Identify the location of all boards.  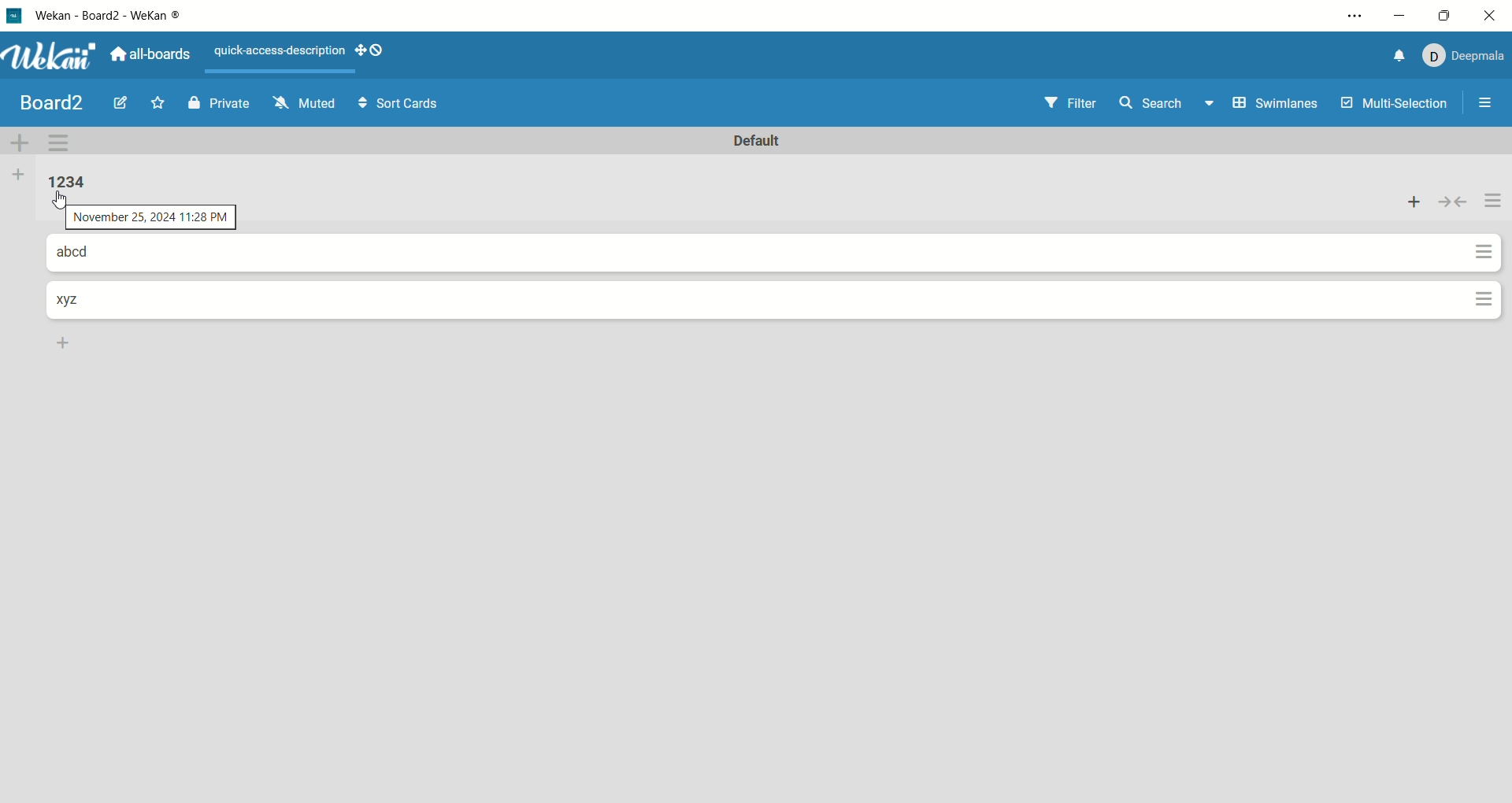
(152, 52).